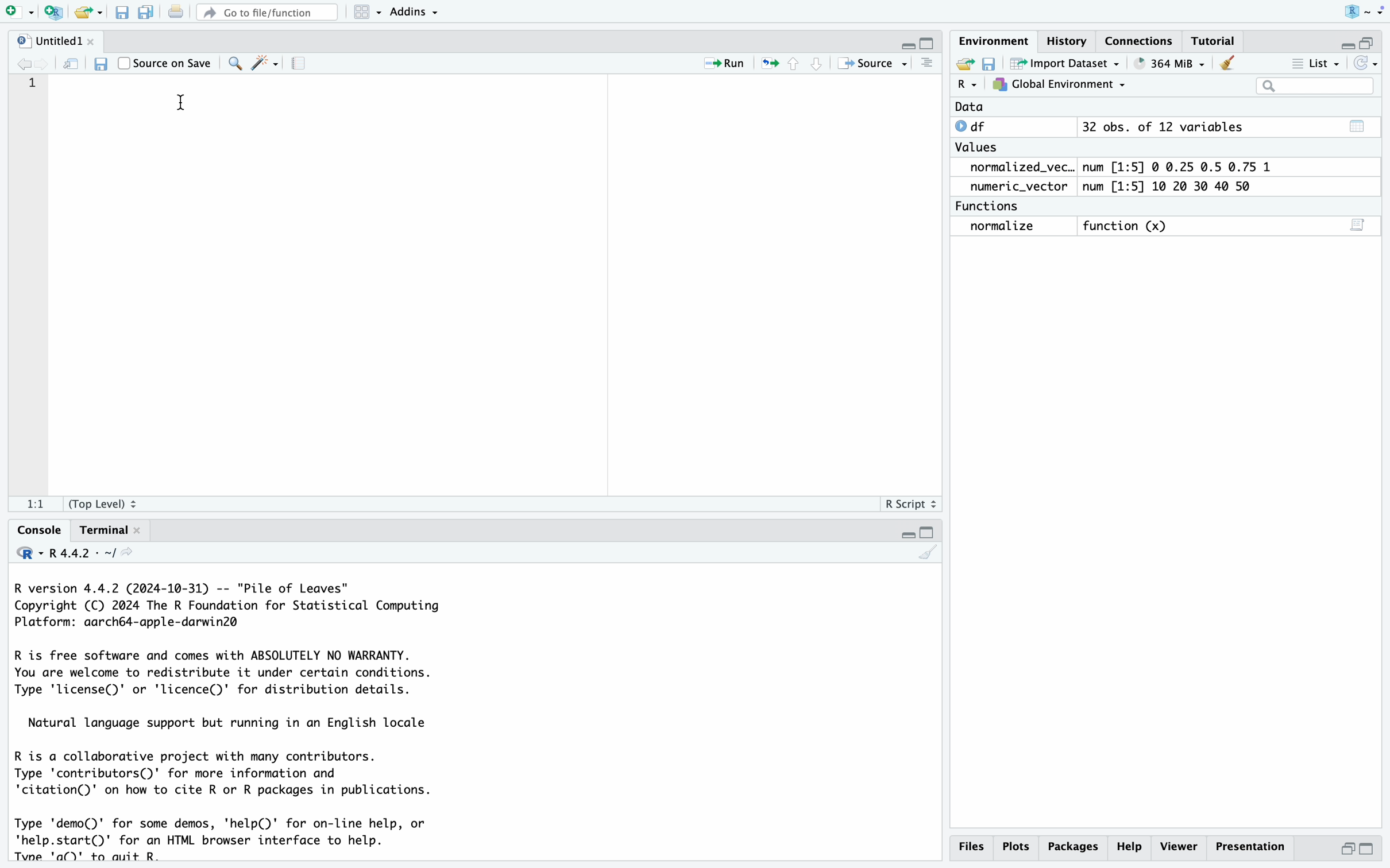 The width and height of the screenshot is (1390, 868). What do you see at coordinates (266, 11) in the screenshot?
I see `Go to file/function` at bounding box center [266, 11].